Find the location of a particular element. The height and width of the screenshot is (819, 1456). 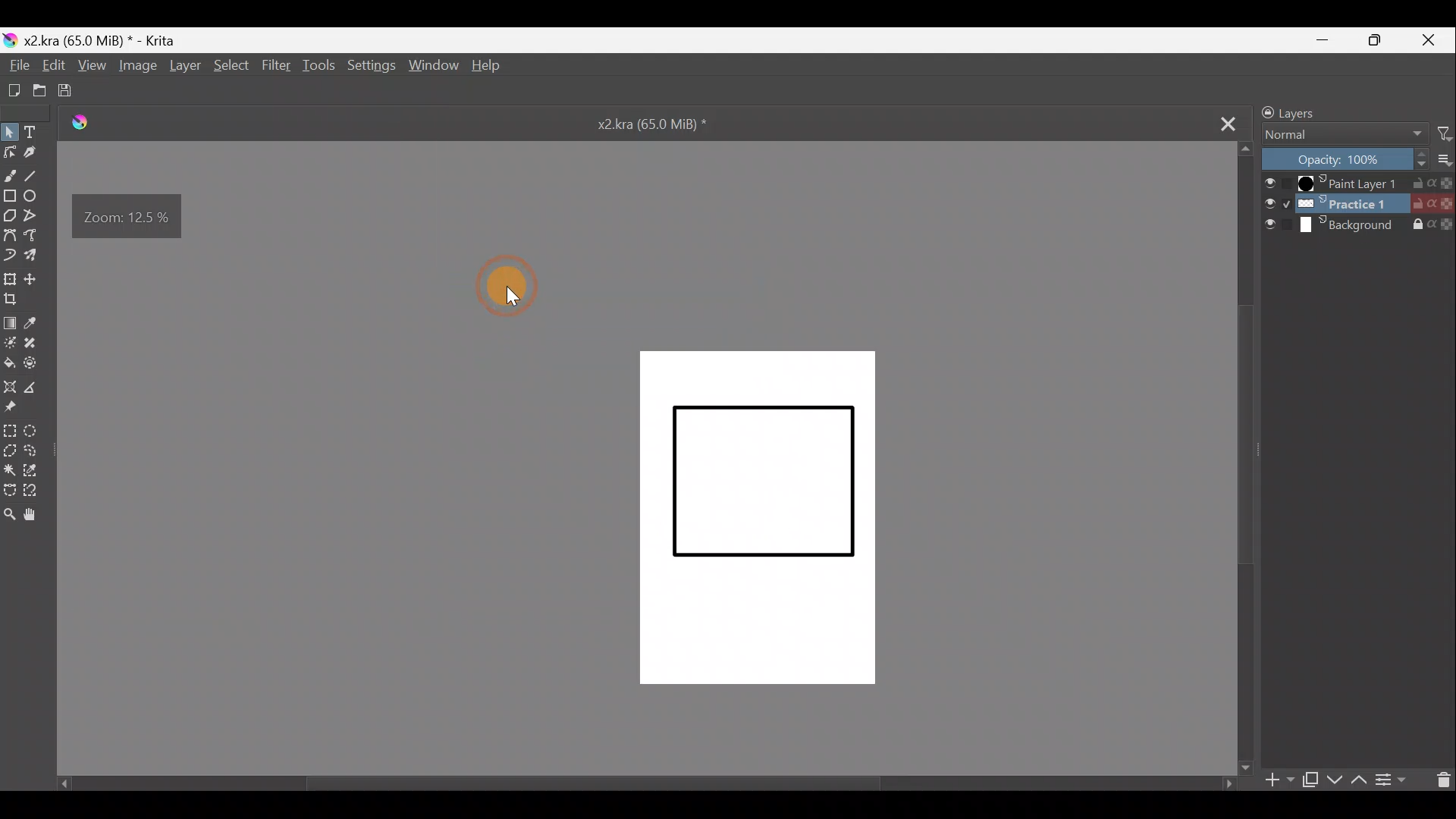

Fill a contiguous area of colour with colour/fill a selection is located at coordinates (9, 363).